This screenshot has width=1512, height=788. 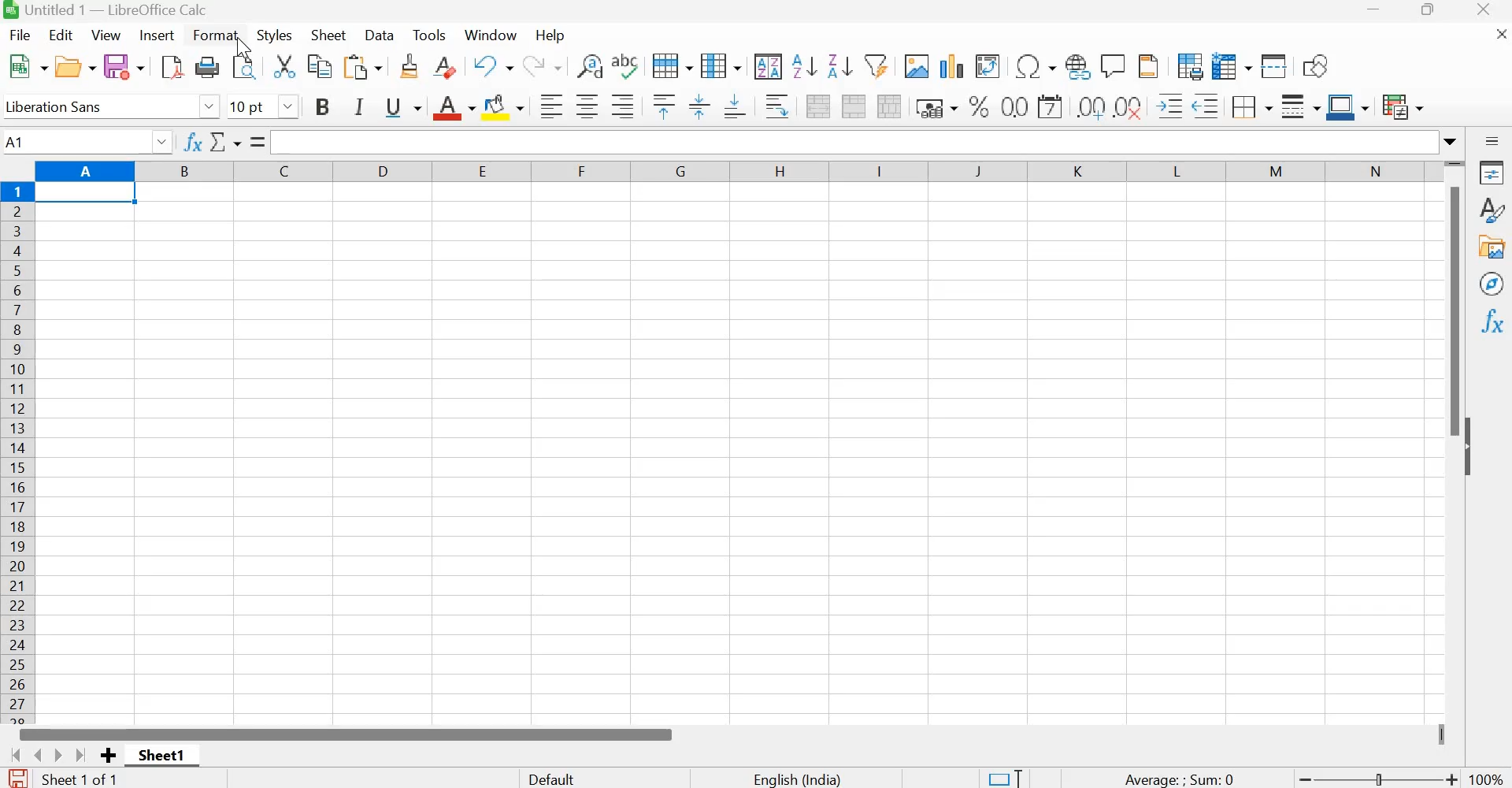 I want to click on Insert special characters, so click(x=1034, y=64).